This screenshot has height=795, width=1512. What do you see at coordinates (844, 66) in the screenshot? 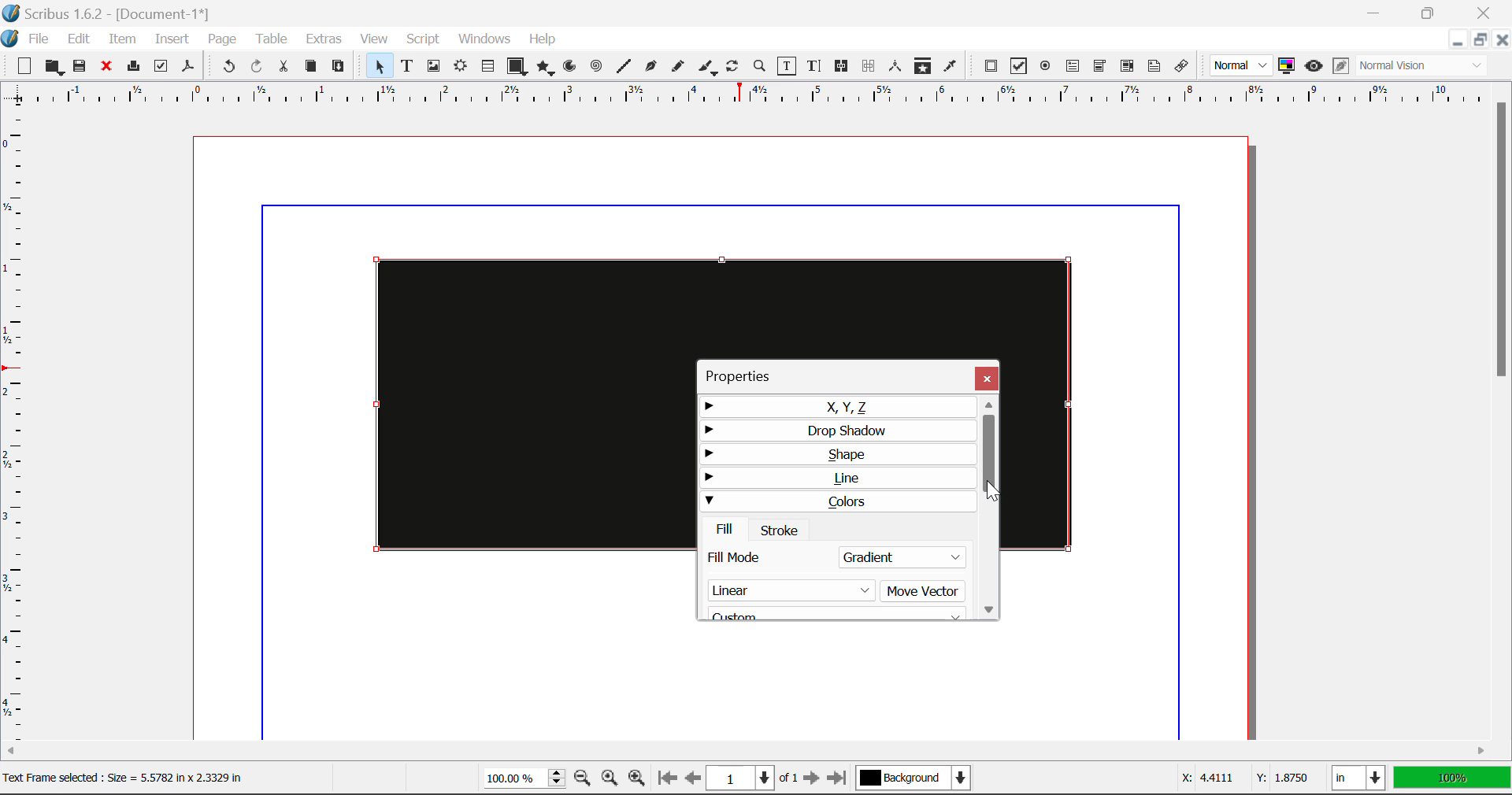
I see `Link Frames` at bounding box center [844, 66].